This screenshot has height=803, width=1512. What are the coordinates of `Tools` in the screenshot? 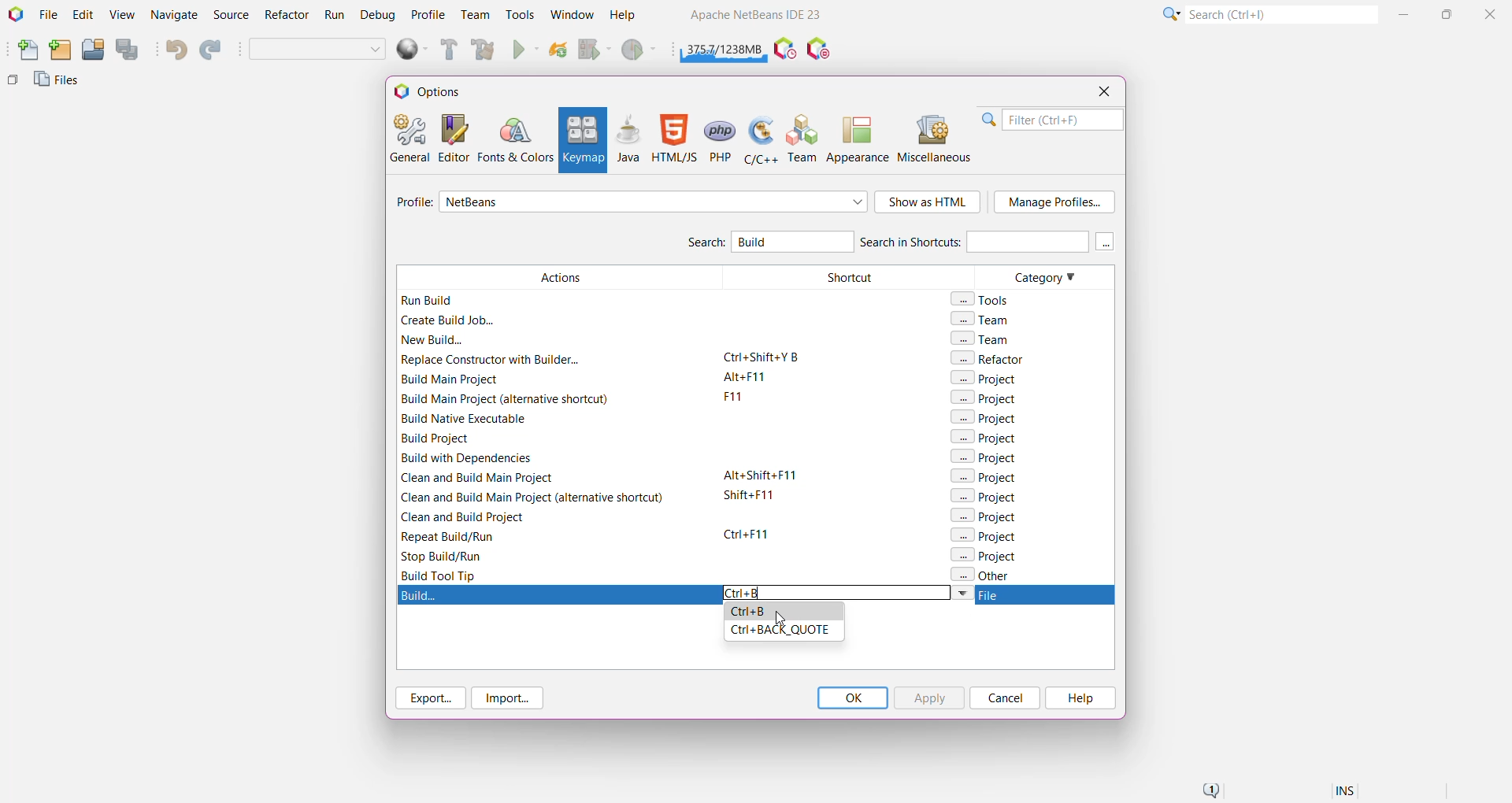 It's located at (521, 13).